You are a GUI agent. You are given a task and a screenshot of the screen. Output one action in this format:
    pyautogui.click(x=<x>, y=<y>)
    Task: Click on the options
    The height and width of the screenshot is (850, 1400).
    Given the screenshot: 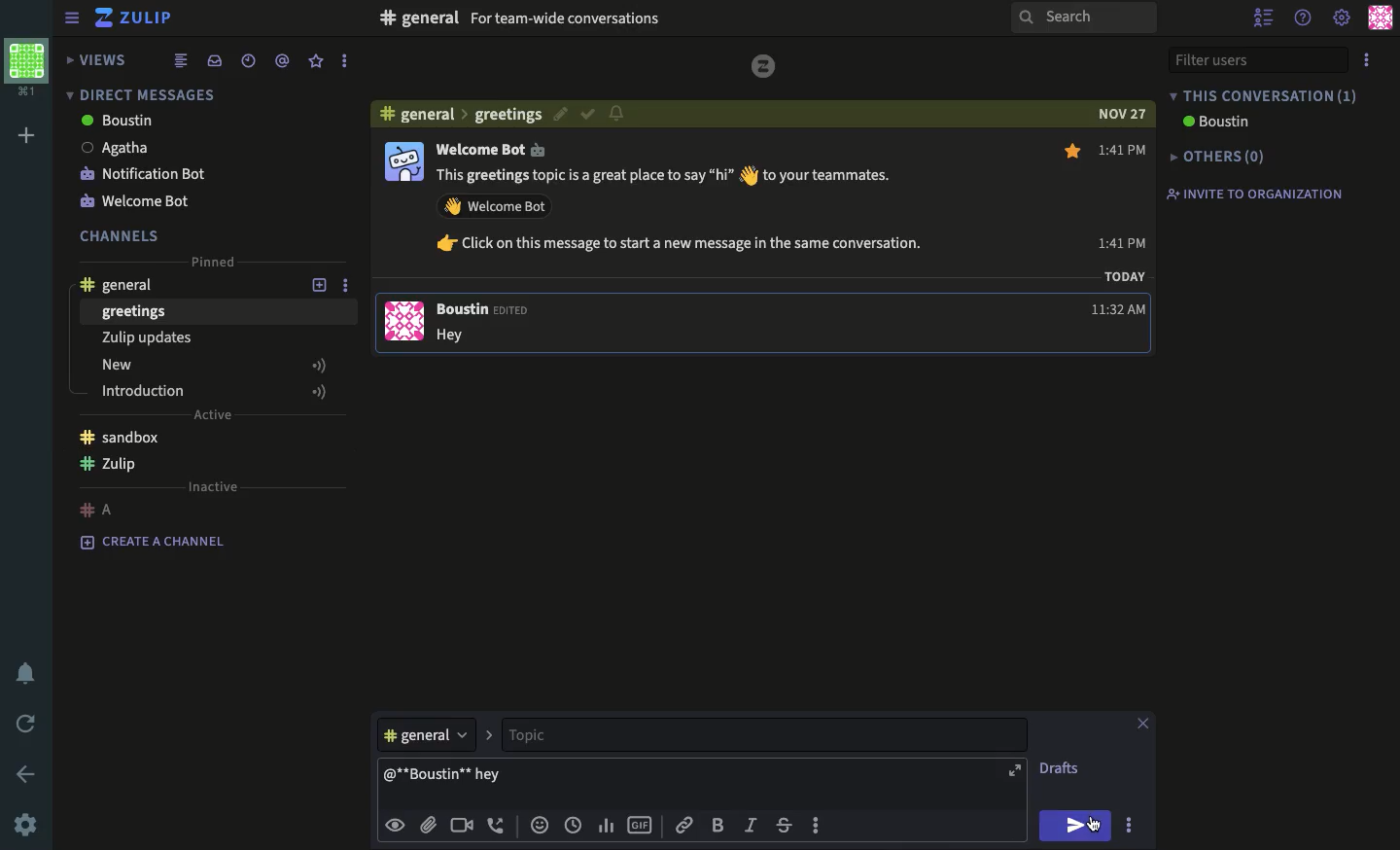 What is the action you would take?
    pyautogui.click(x=1130, y=826)
    